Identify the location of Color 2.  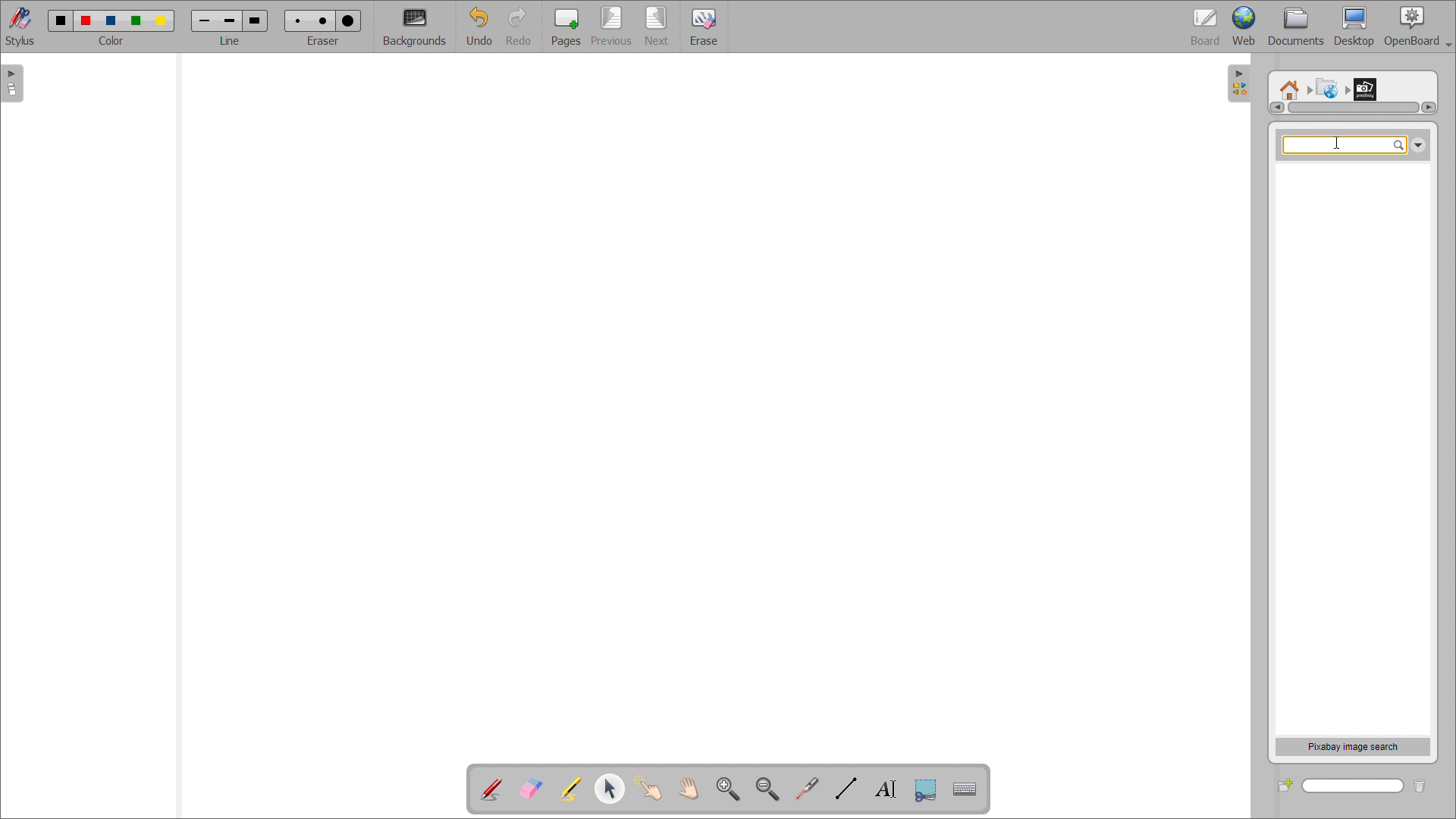
(86, 19).